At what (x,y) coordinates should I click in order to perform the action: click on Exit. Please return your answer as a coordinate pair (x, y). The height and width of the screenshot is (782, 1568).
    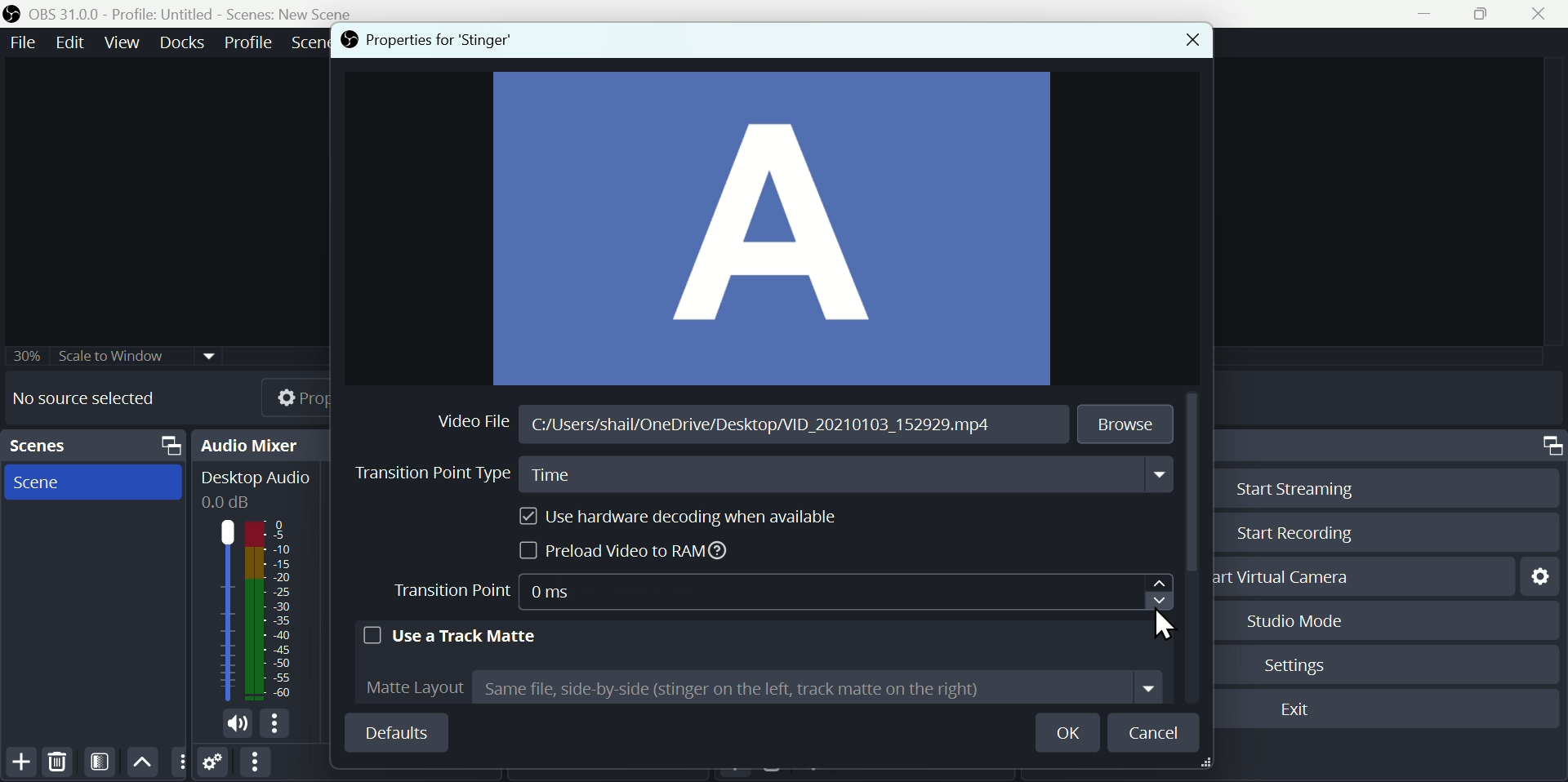
    Looking at the image, I should click on (1298, 711).